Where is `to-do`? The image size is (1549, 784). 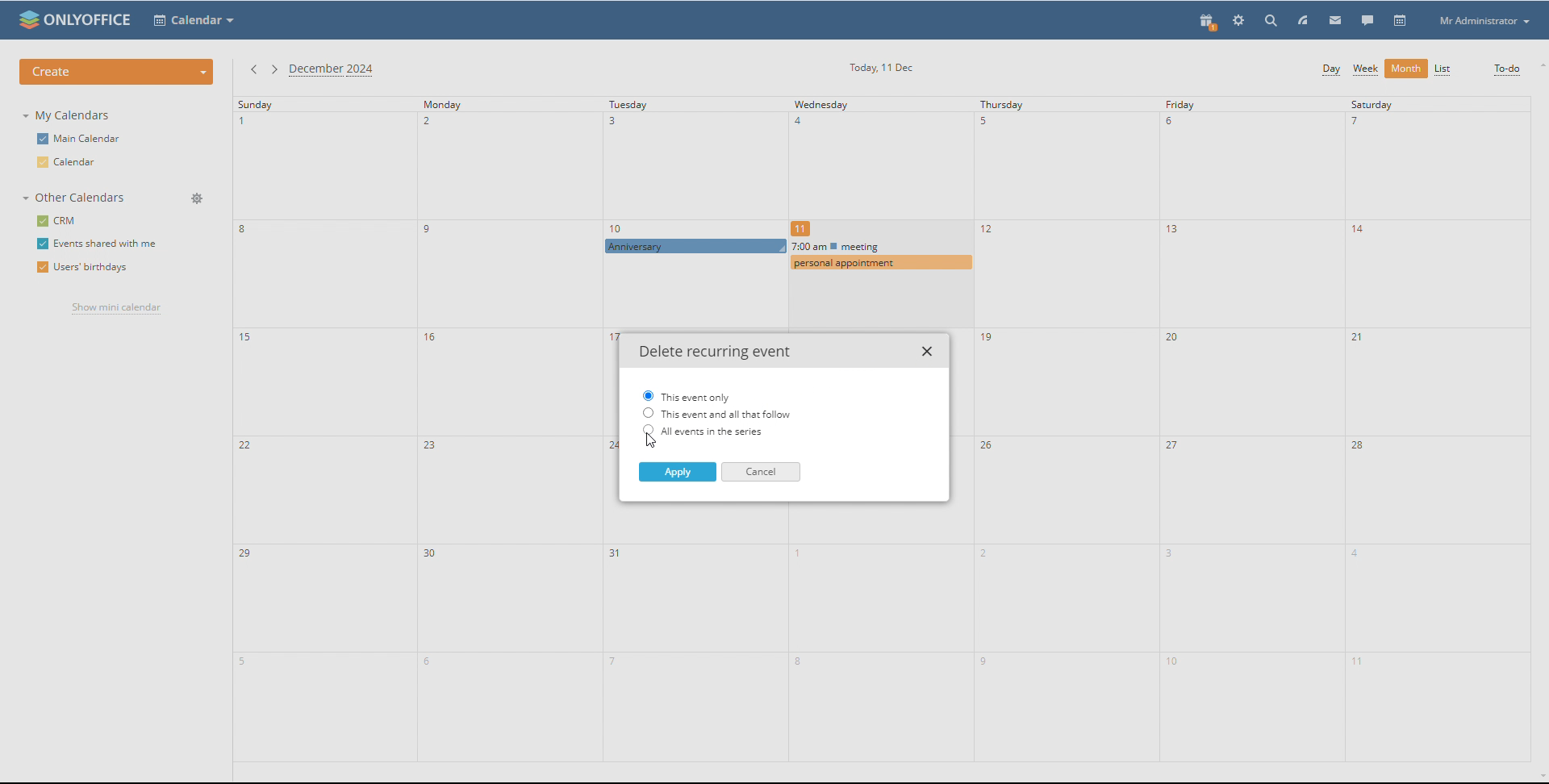
to-do is located at coordinates (1507, 70).